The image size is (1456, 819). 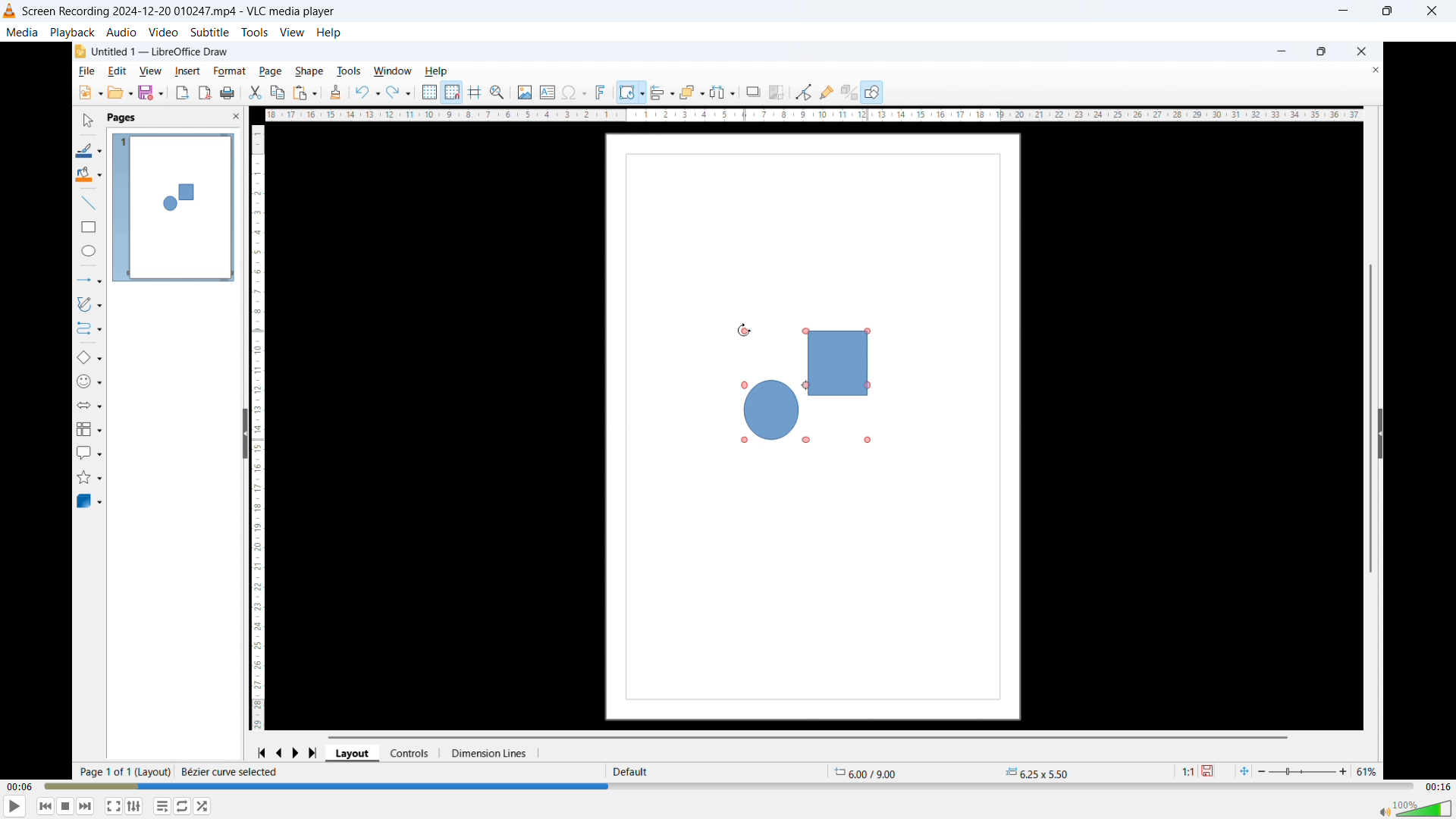 What do you see at coordinates (12, 11) in the screenshot?
I see `Logo ` at bounding box center [12, 11].